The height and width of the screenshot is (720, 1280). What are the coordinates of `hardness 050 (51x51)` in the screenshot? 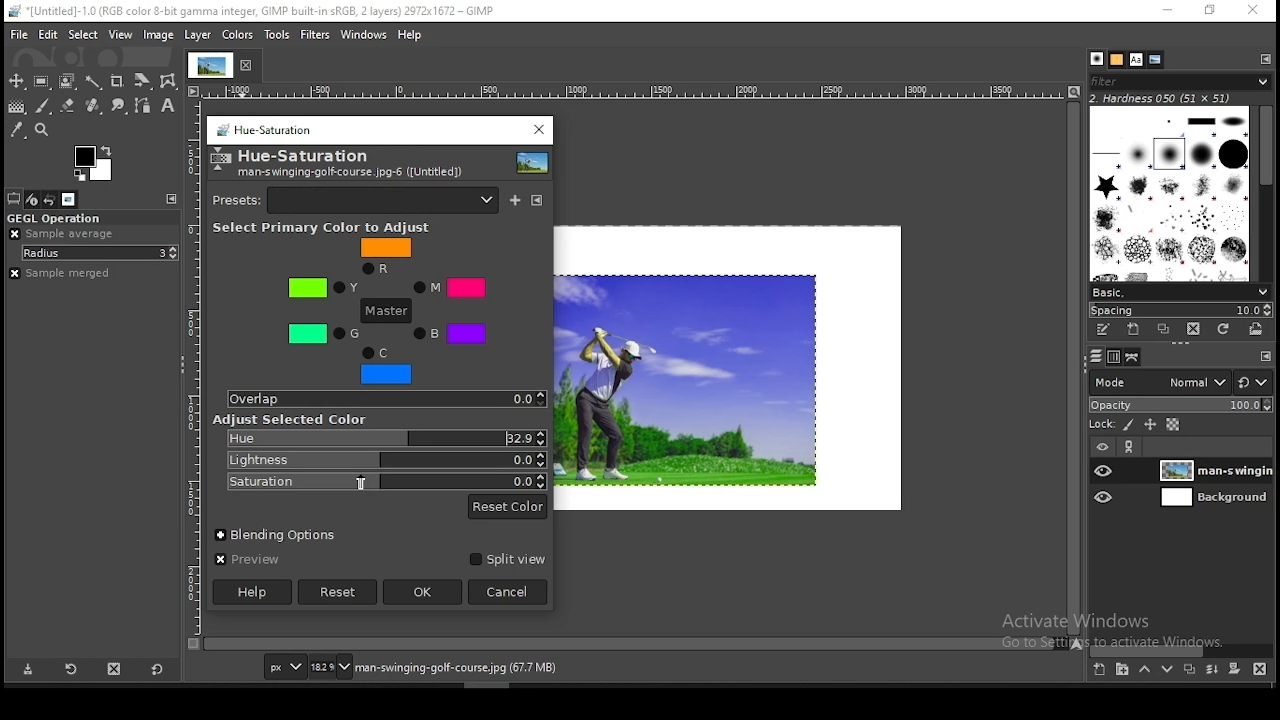 It's located at (1182, 99).